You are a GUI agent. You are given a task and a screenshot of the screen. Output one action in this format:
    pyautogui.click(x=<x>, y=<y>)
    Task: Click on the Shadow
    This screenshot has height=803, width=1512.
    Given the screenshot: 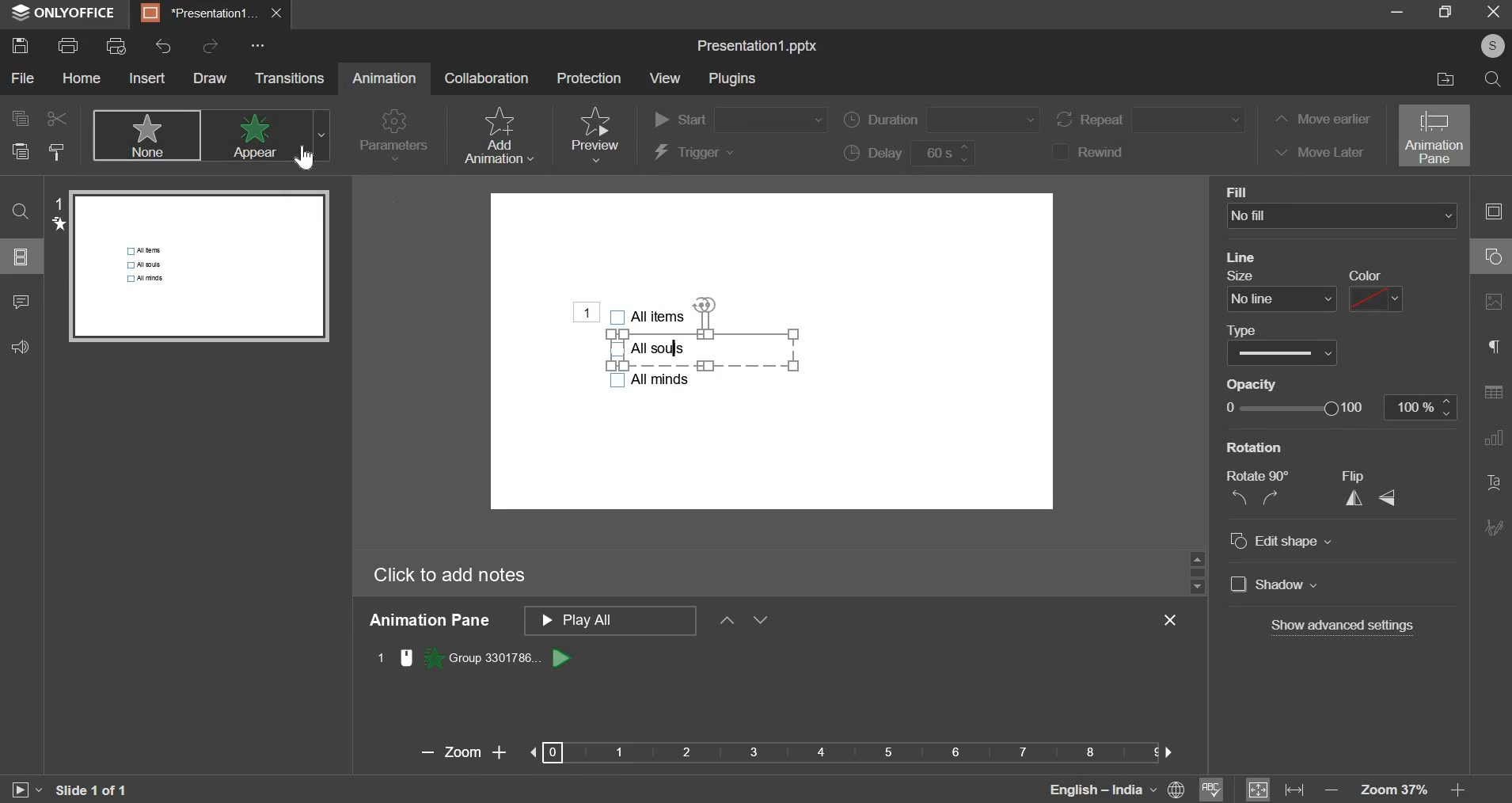 What is the action you would take?
    pyautogui.click(x=1275, y=585)
    